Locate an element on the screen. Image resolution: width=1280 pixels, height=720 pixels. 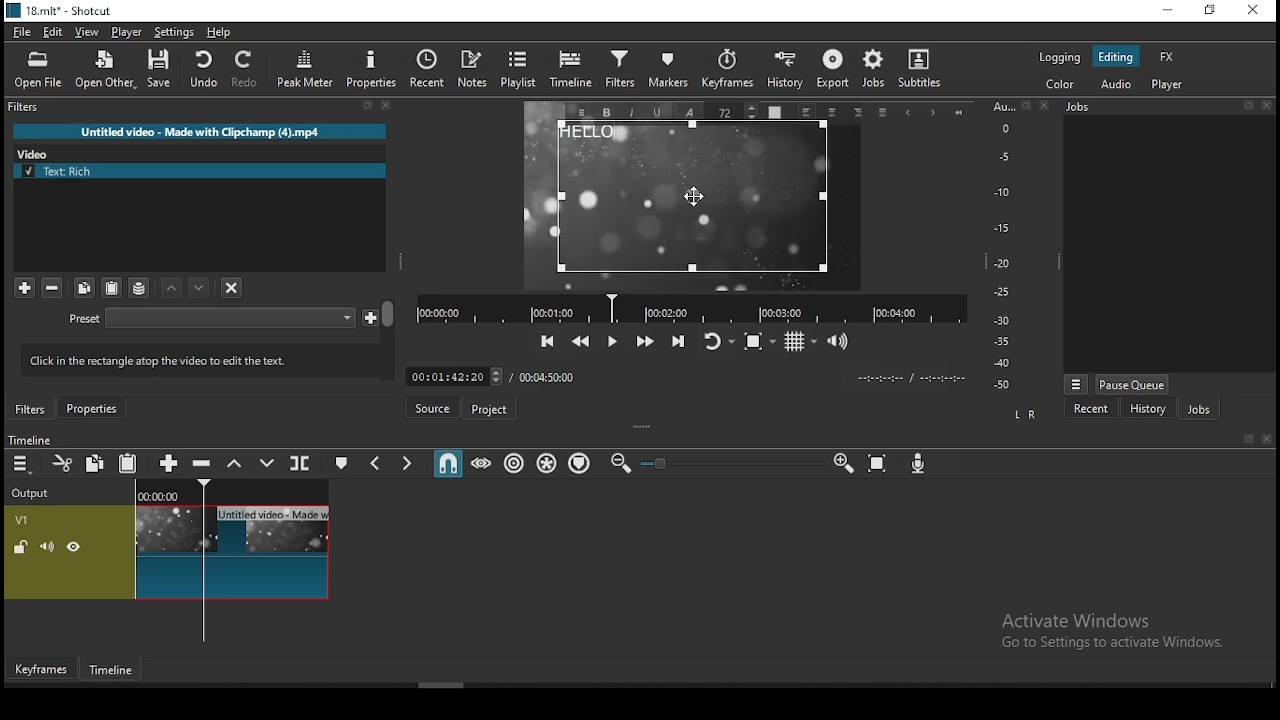
undo is located at coordinates (203, 69).